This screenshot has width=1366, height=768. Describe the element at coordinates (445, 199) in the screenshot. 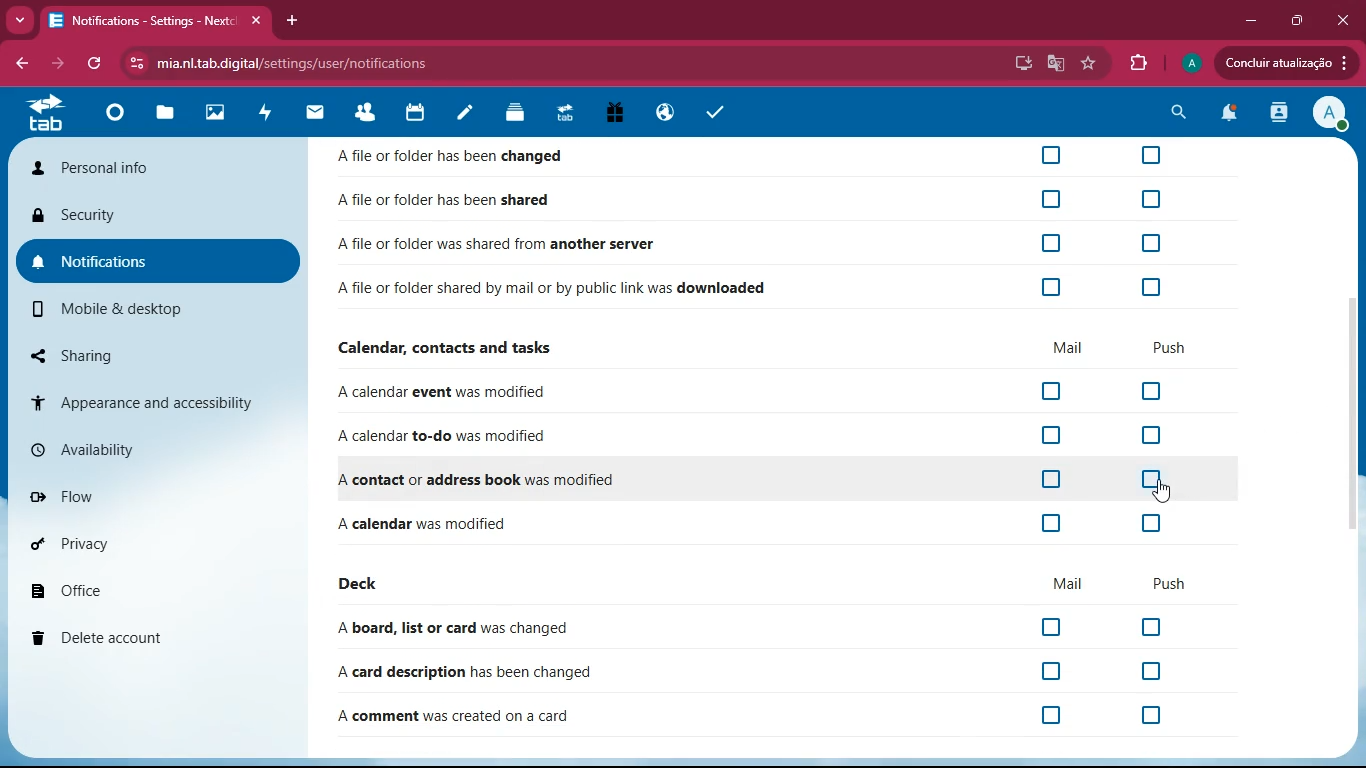

I see `A file or folder has been shared` at that location.